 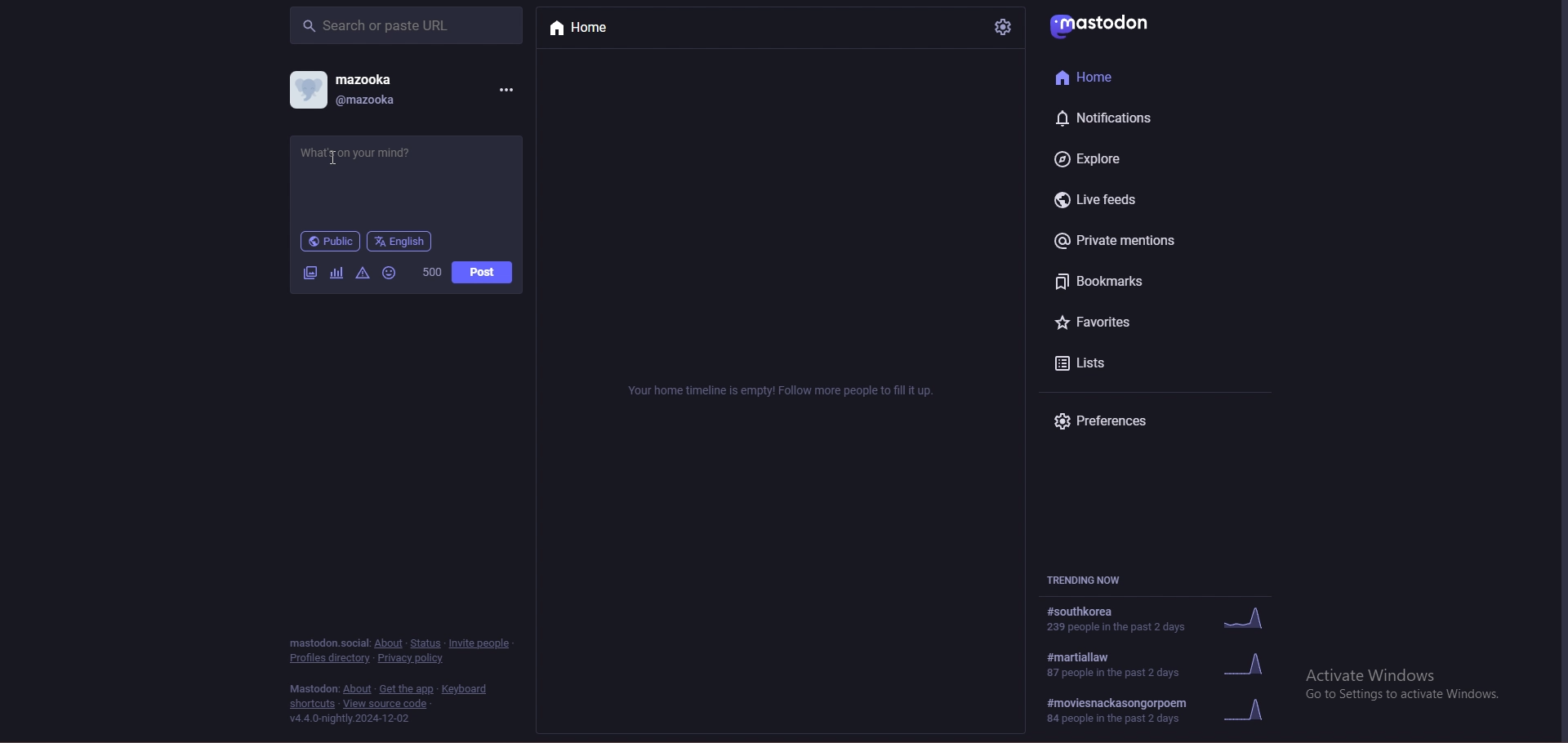 I want to click on word limit, so click(x=431, y=271).